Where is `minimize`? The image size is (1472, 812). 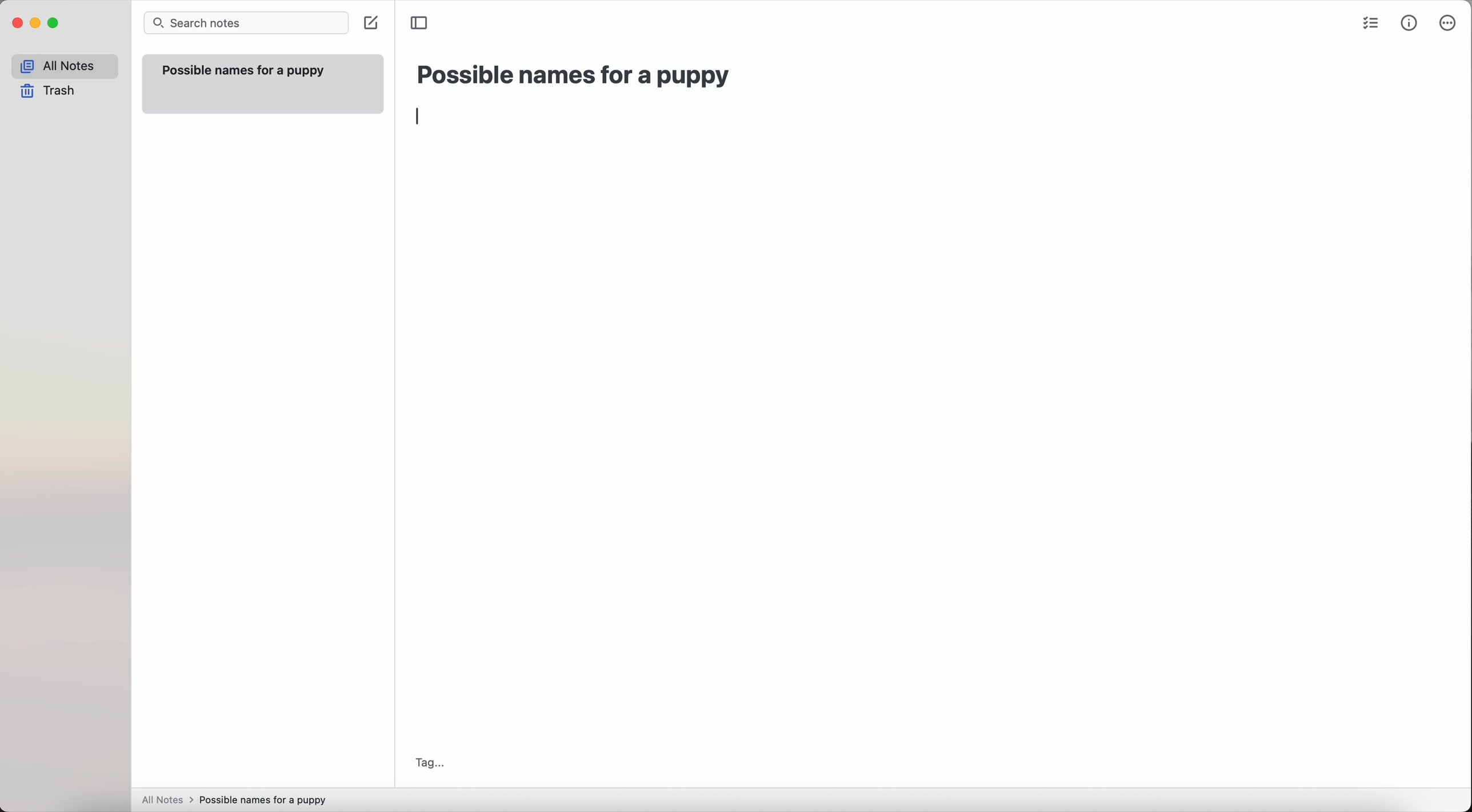
minimize is located at coordinates (36, 24).